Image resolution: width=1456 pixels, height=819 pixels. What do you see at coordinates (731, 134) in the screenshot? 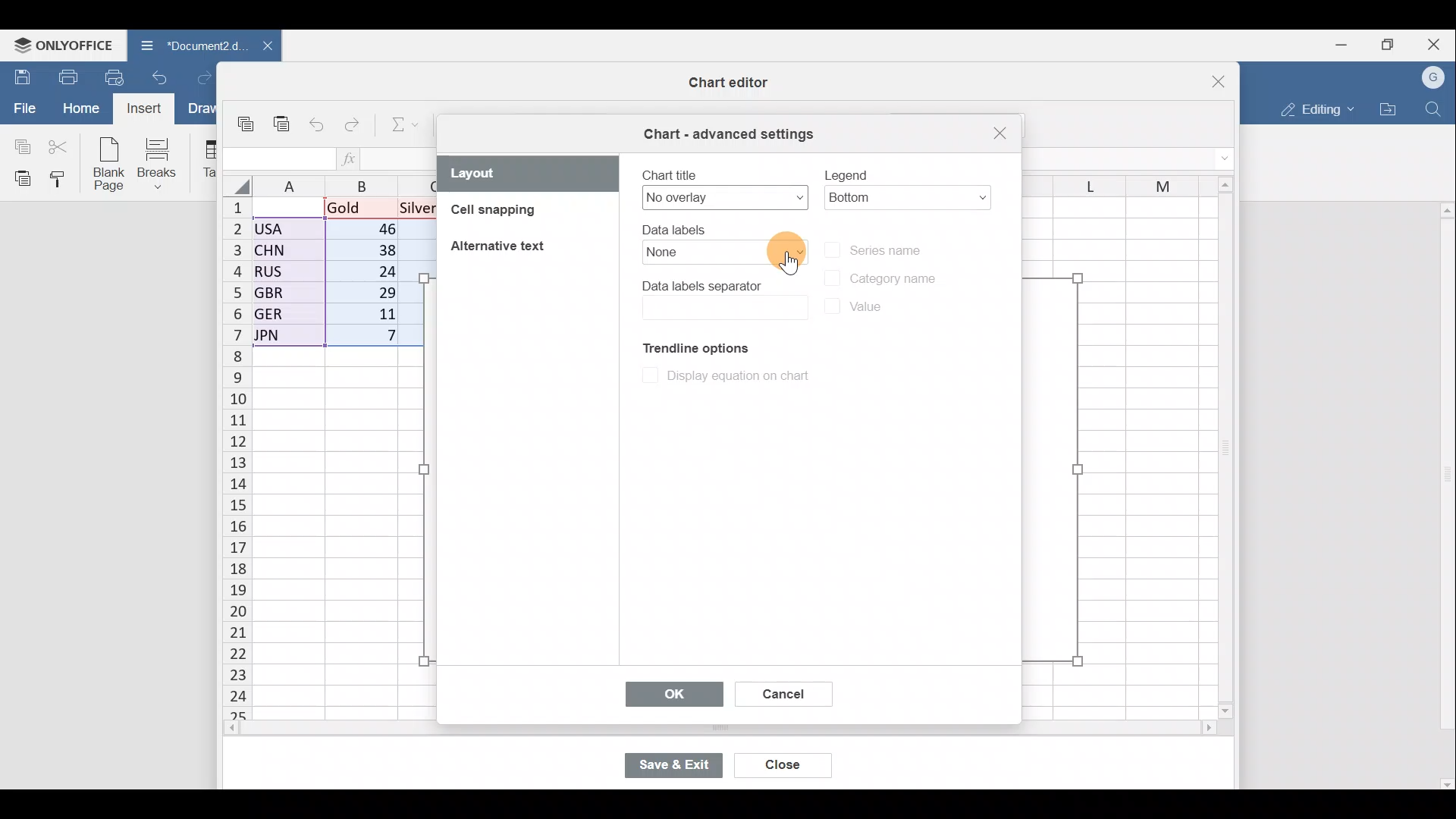
I see `Chart advanced settings` at bounding box center [731, 134].